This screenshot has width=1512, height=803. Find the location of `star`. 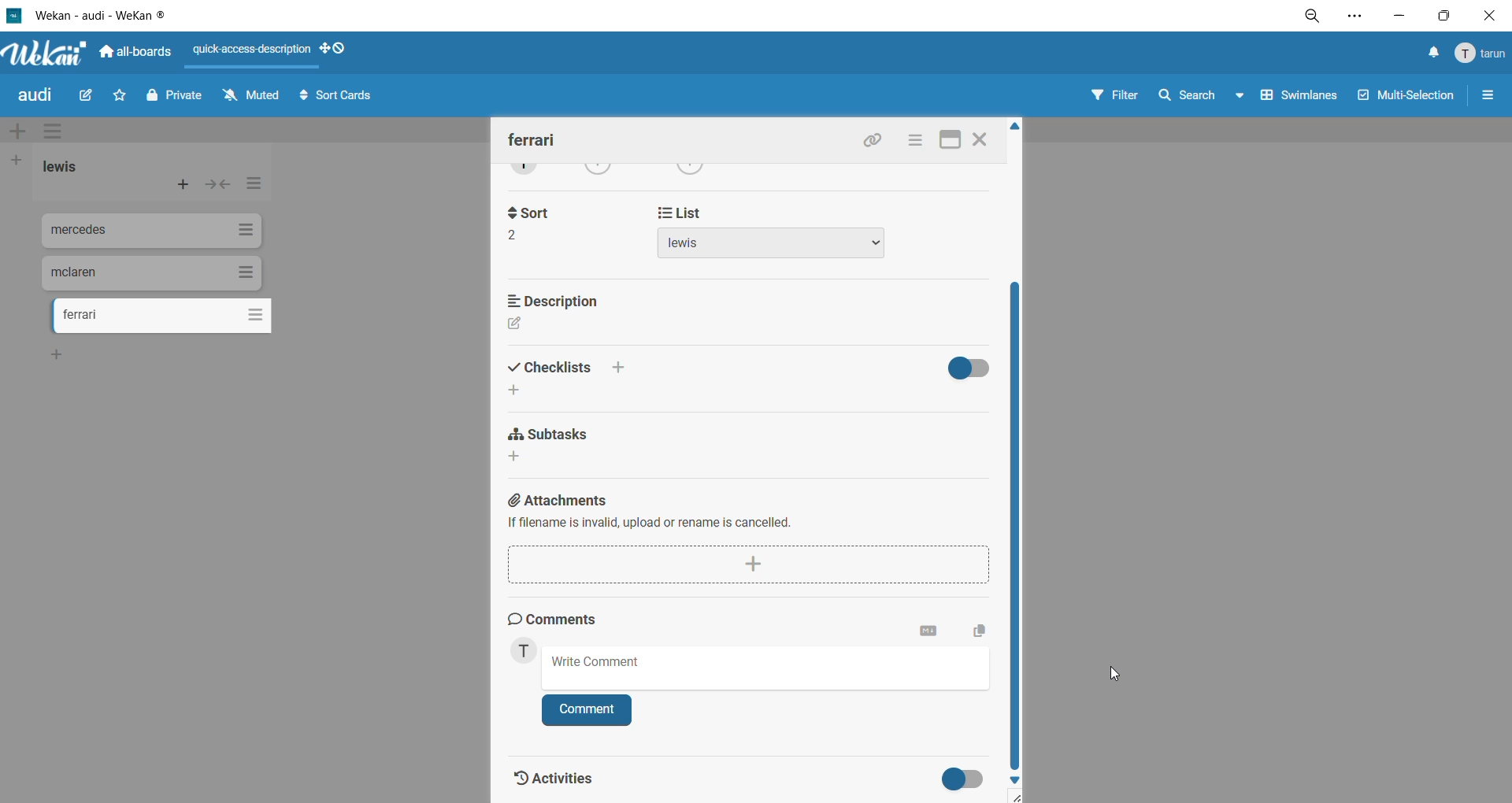

star is located at coordinates (123, 94).